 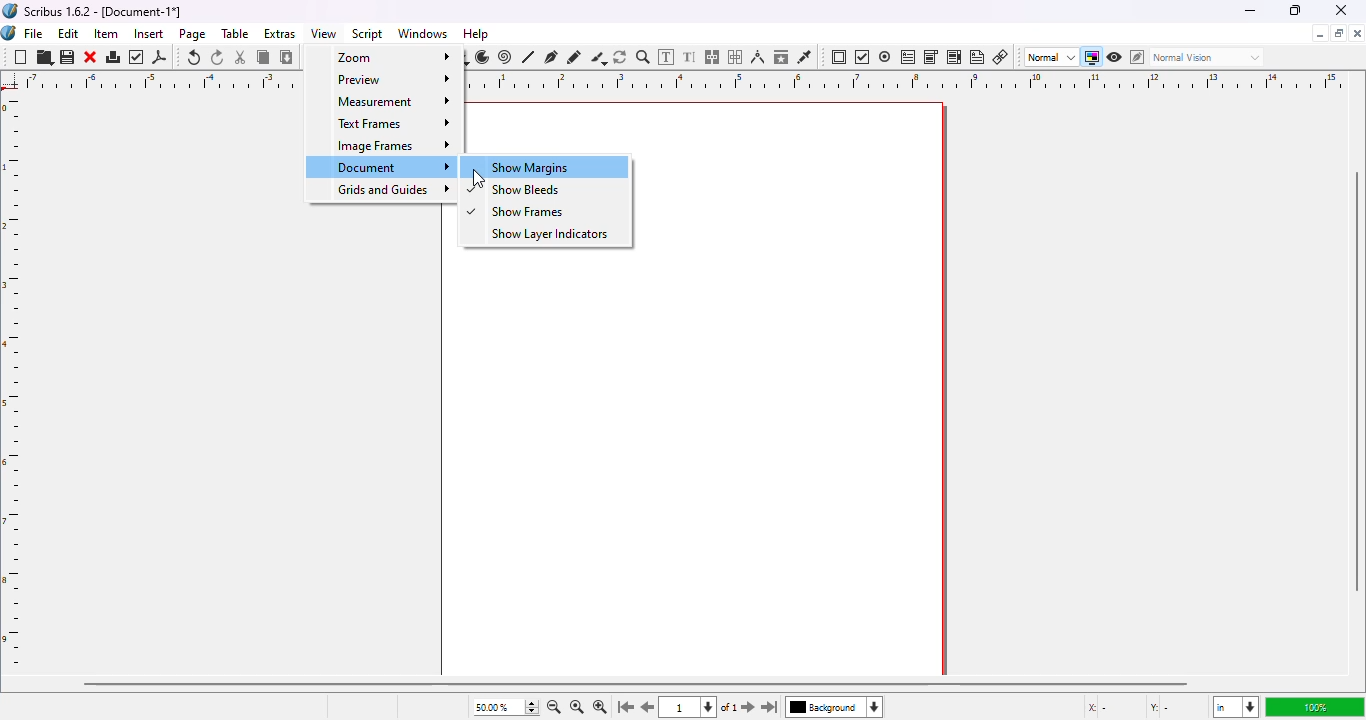 I want to click on image frames, so click(x=382, y=145).